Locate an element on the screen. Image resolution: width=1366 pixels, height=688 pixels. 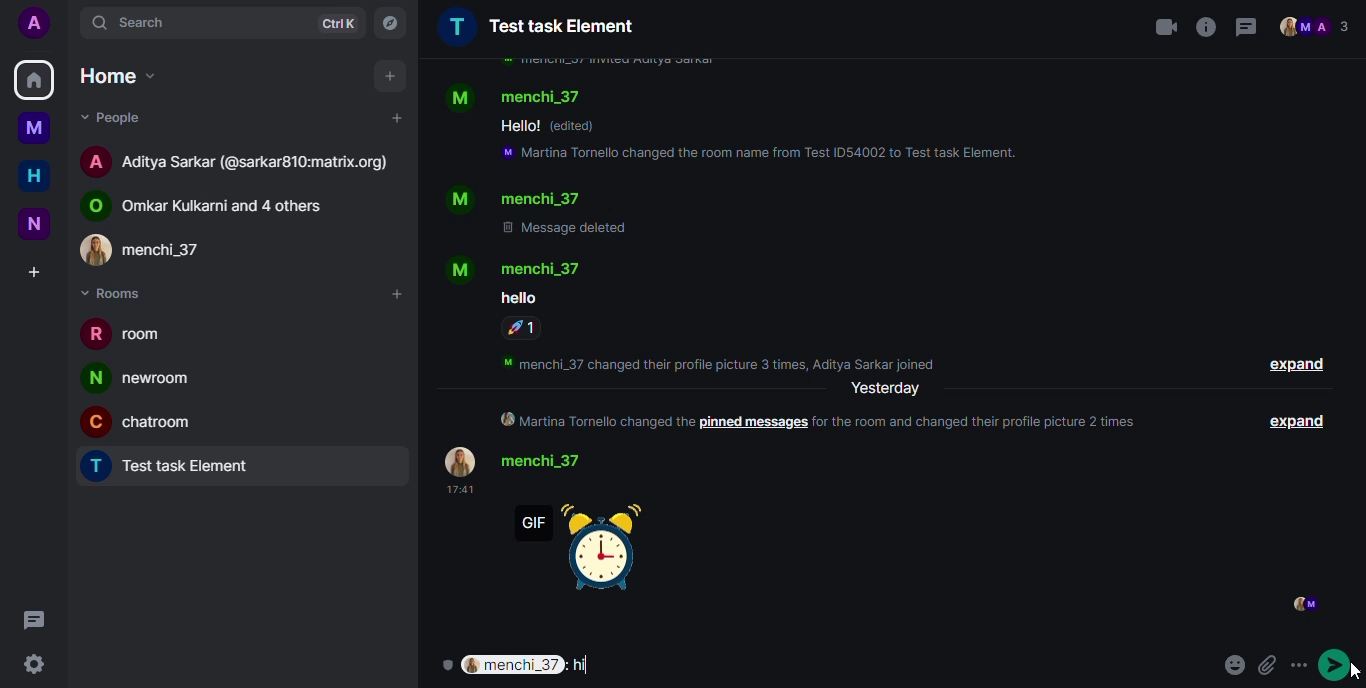
edited is located at coordinates (577, 126).